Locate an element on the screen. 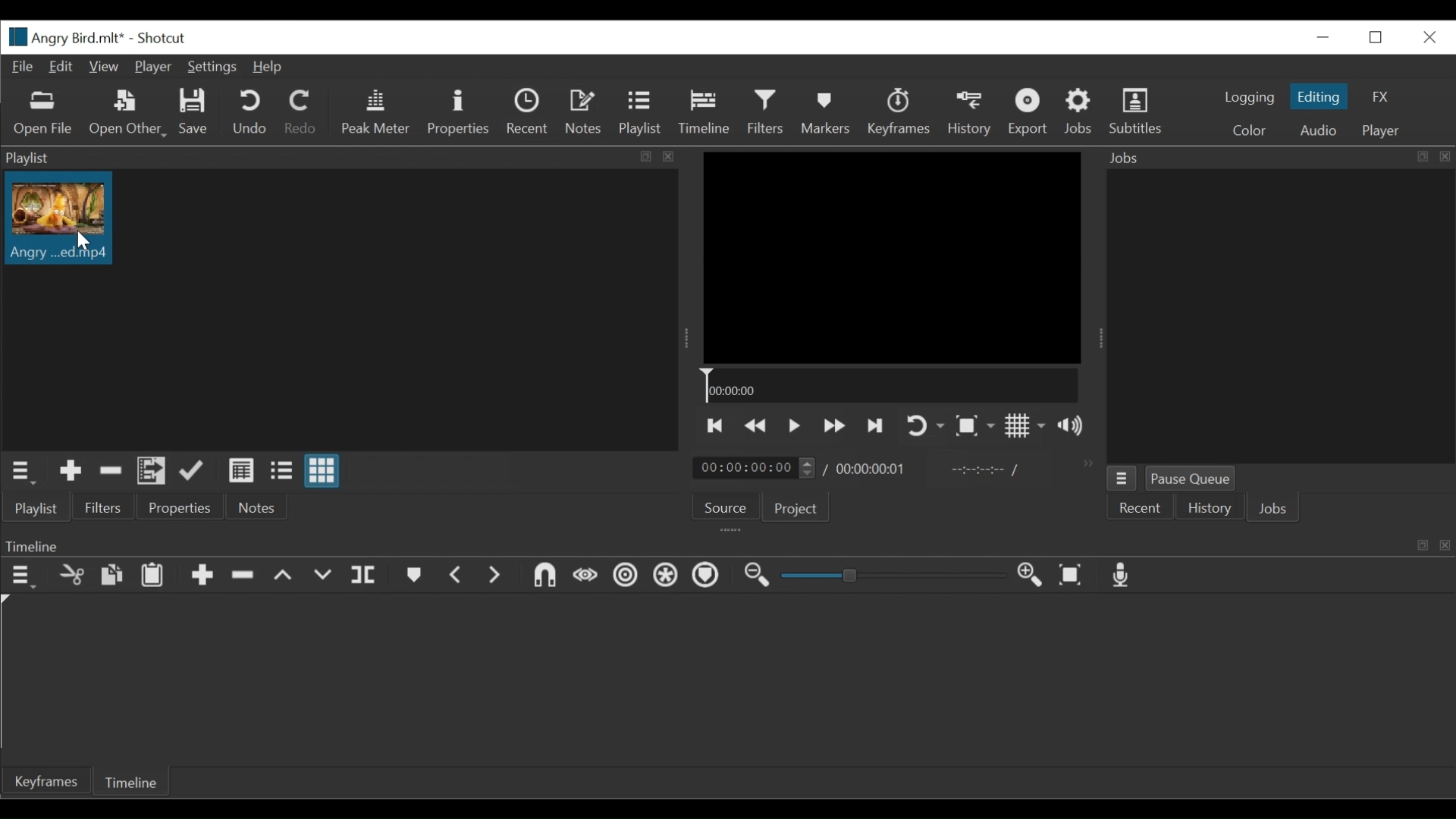  previous is located at coordinates (455, 575).